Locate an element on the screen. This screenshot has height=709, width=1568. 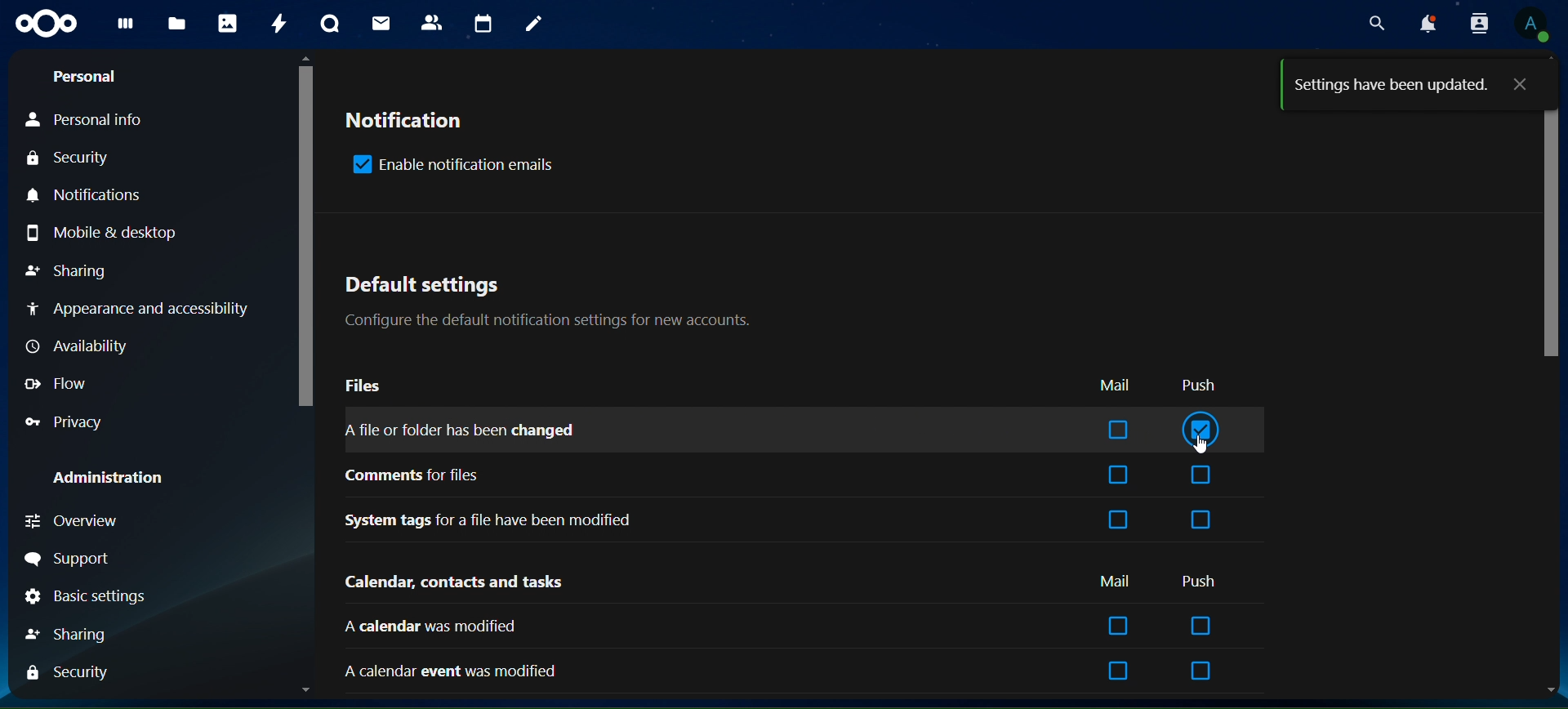
dashboard is located at coordinates (129, 29).